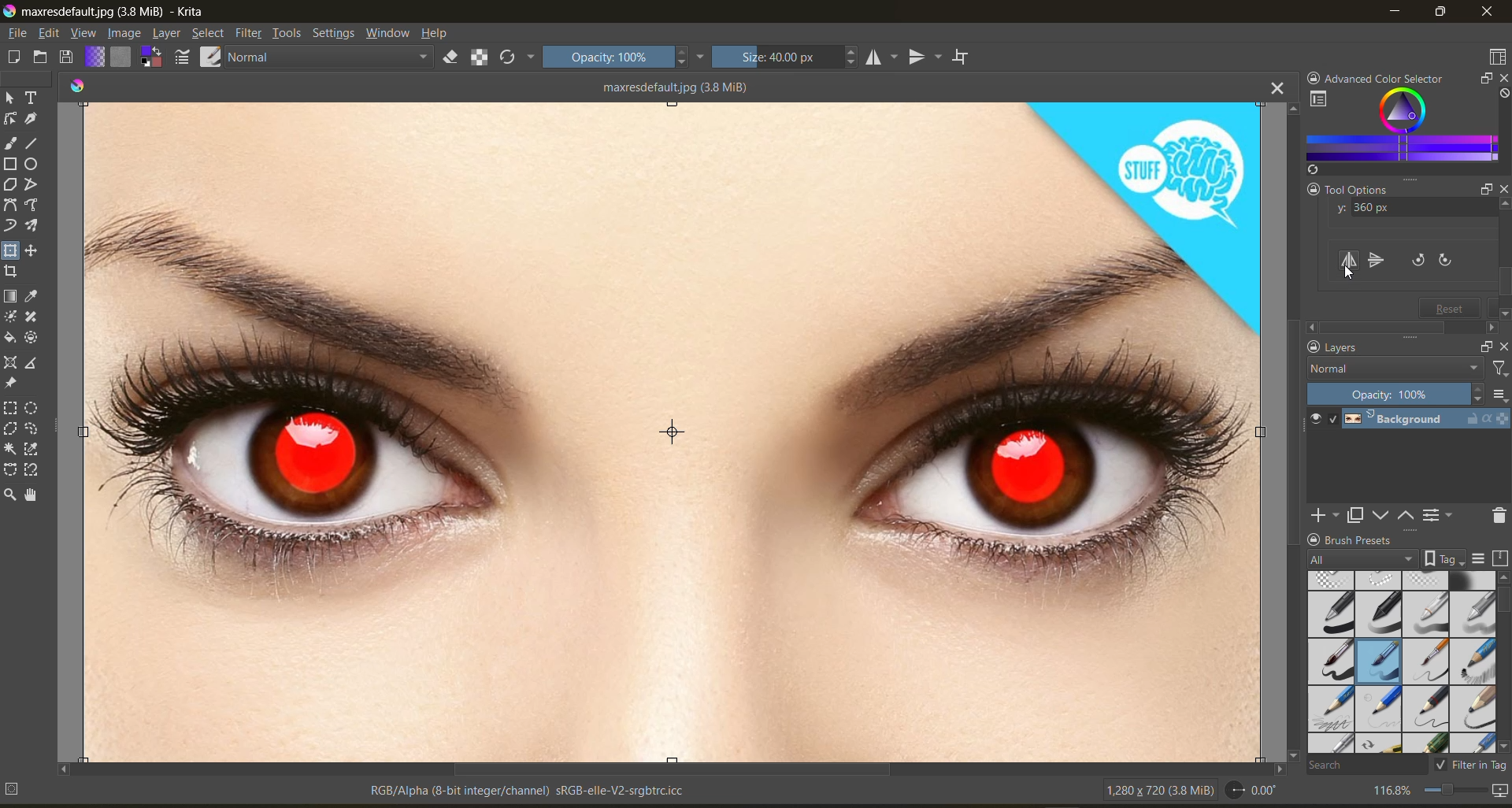 The height and width of the screenshot is (808, 1512). Describe the element at coordinates (9, 428) in the screenshot. I see `tool` at that location.